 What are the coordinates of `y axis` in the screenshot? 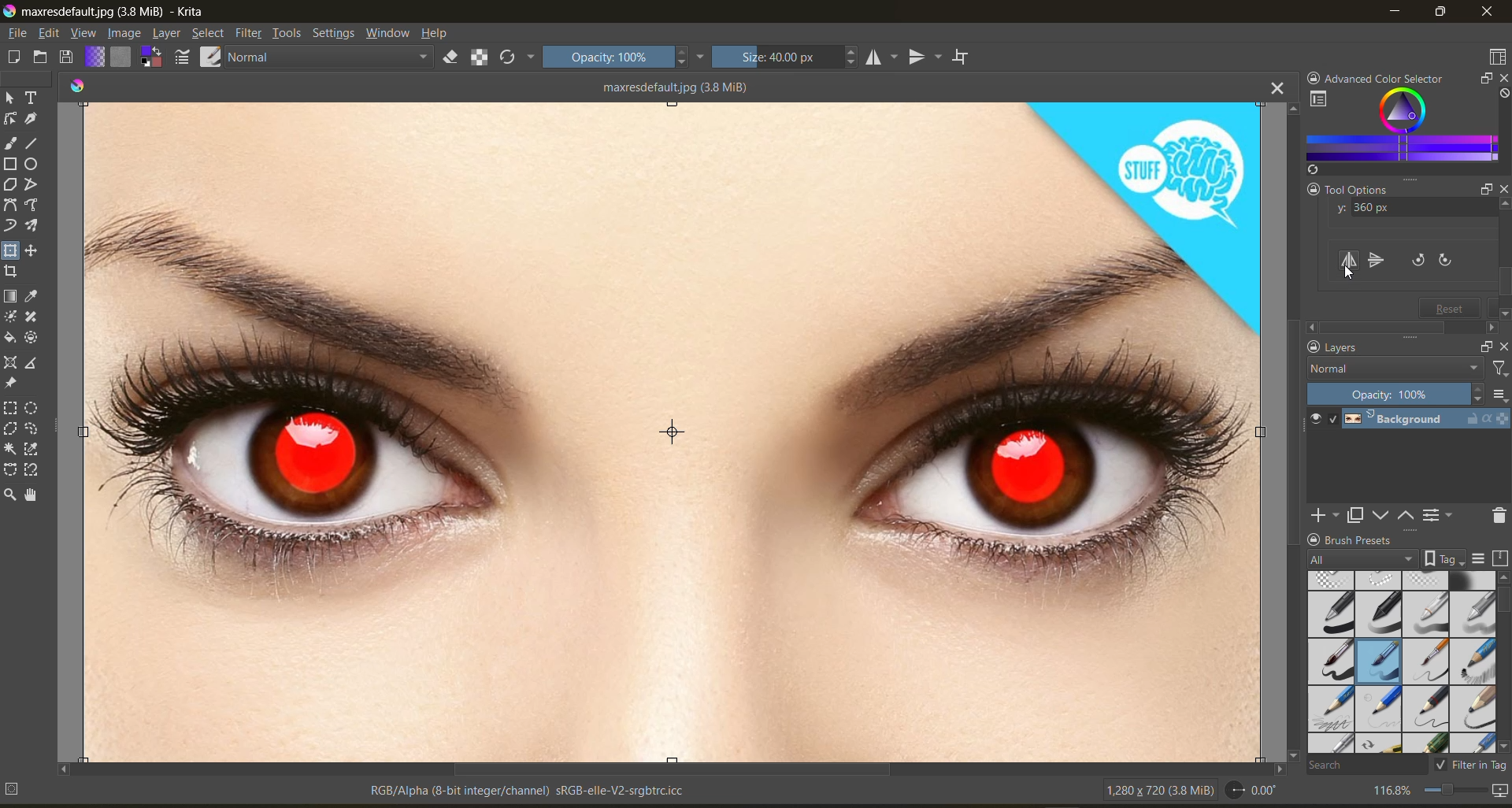 It's located at (1409, 209).